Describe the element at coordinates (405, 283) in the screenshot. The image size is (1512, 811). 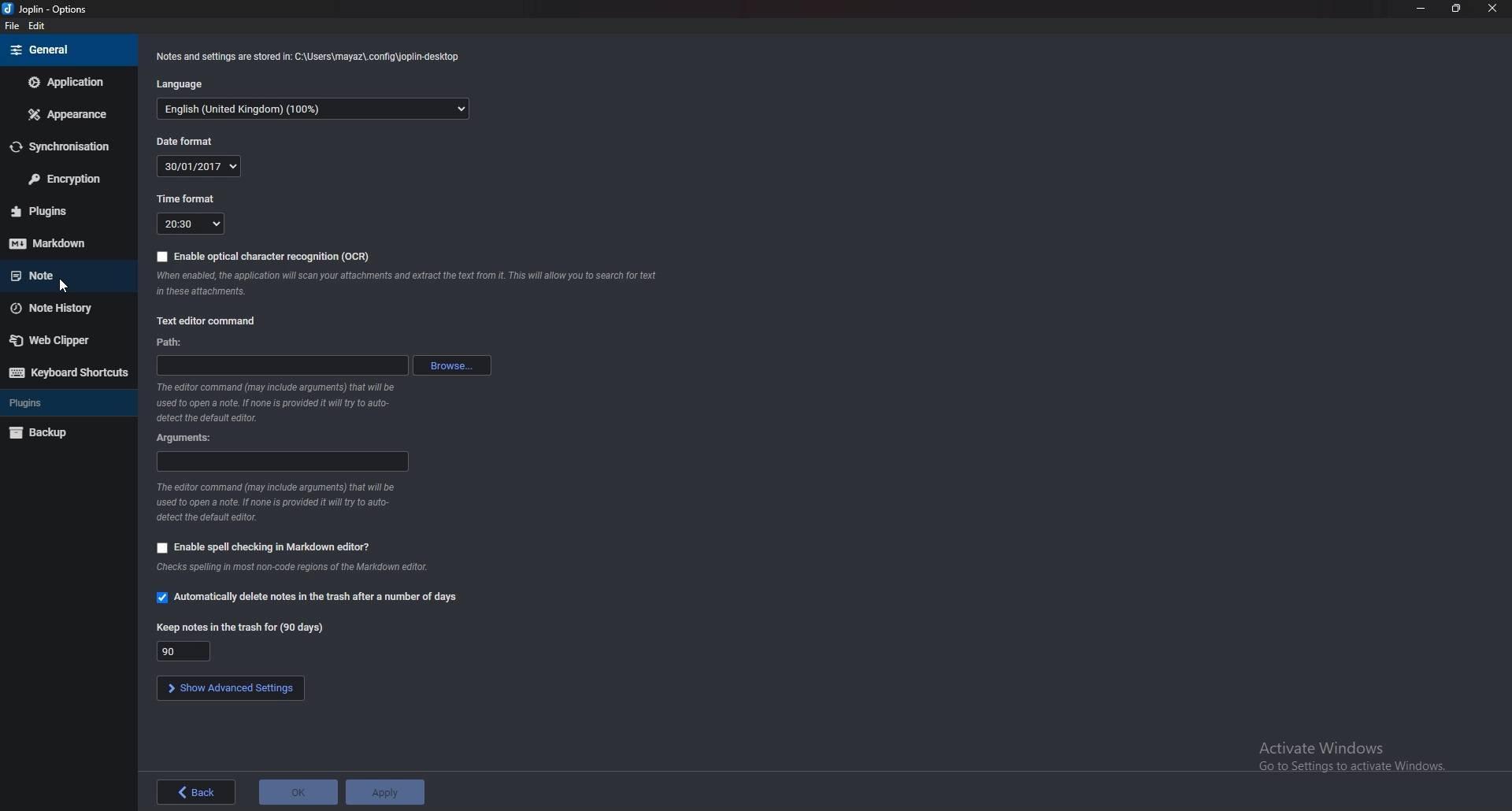
I see `Info` at that location.